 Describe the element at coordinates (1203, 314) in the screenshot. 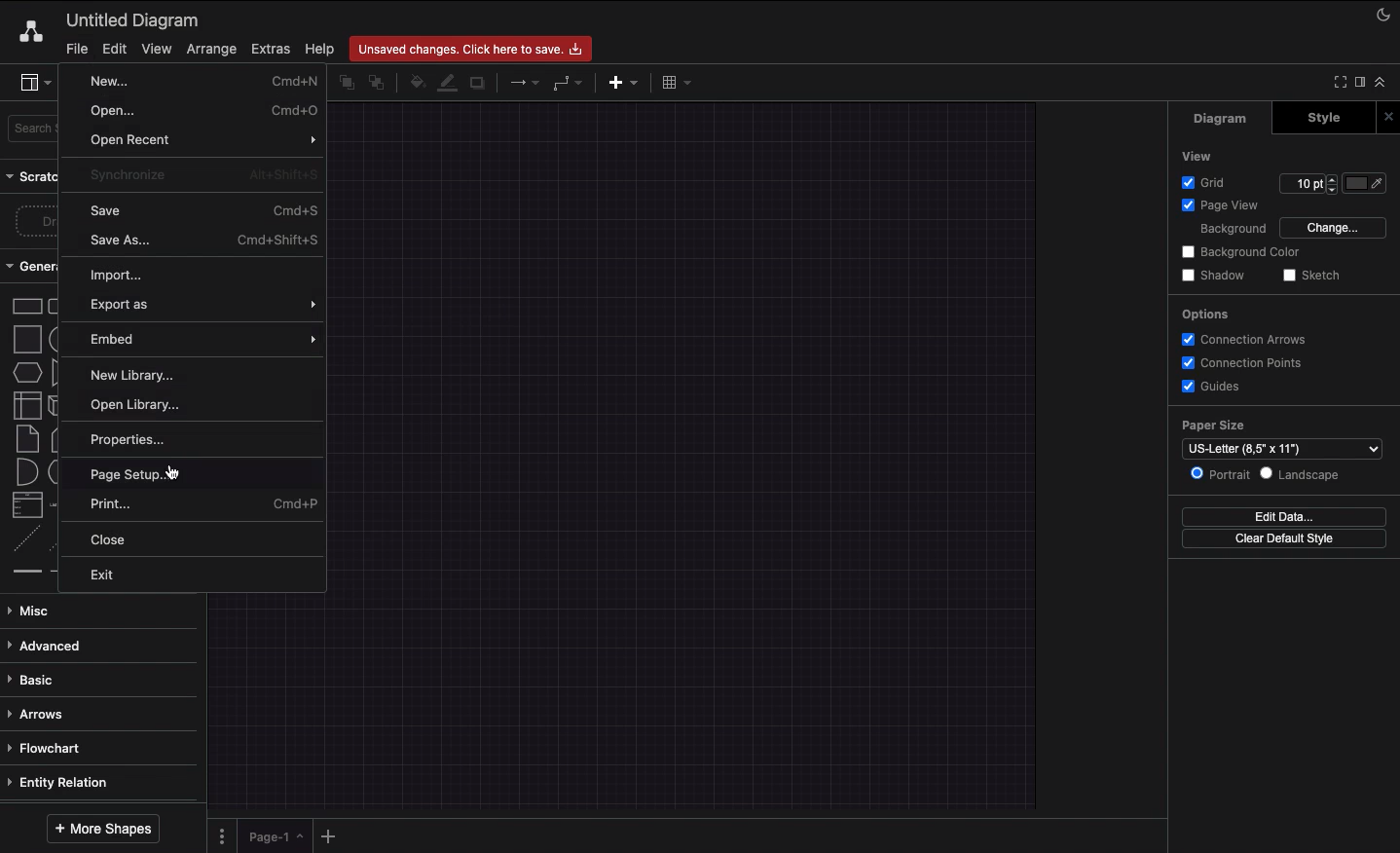

I see `Options` at that location.